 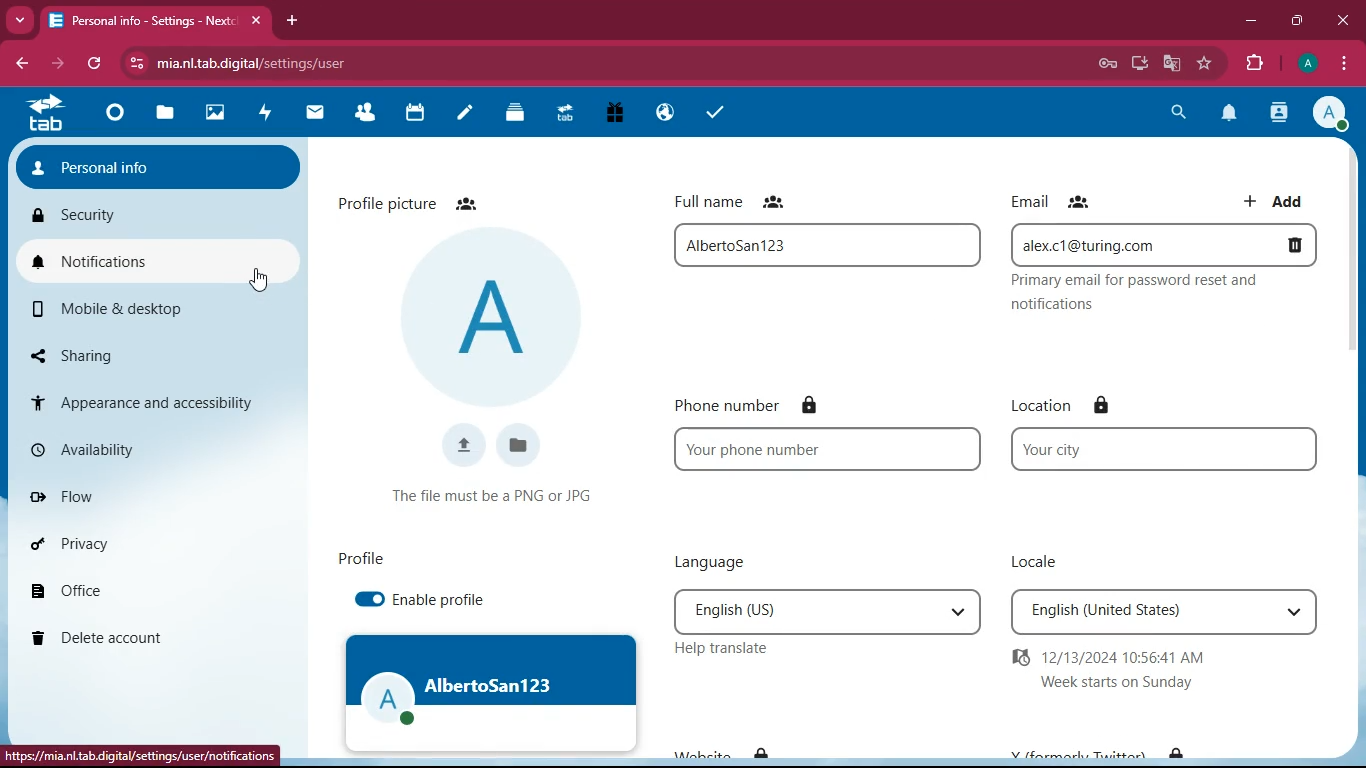 What do you see at coordinates (1079, 201) in the screenshot?
I see `friends` at bounding box center [1079, 201].